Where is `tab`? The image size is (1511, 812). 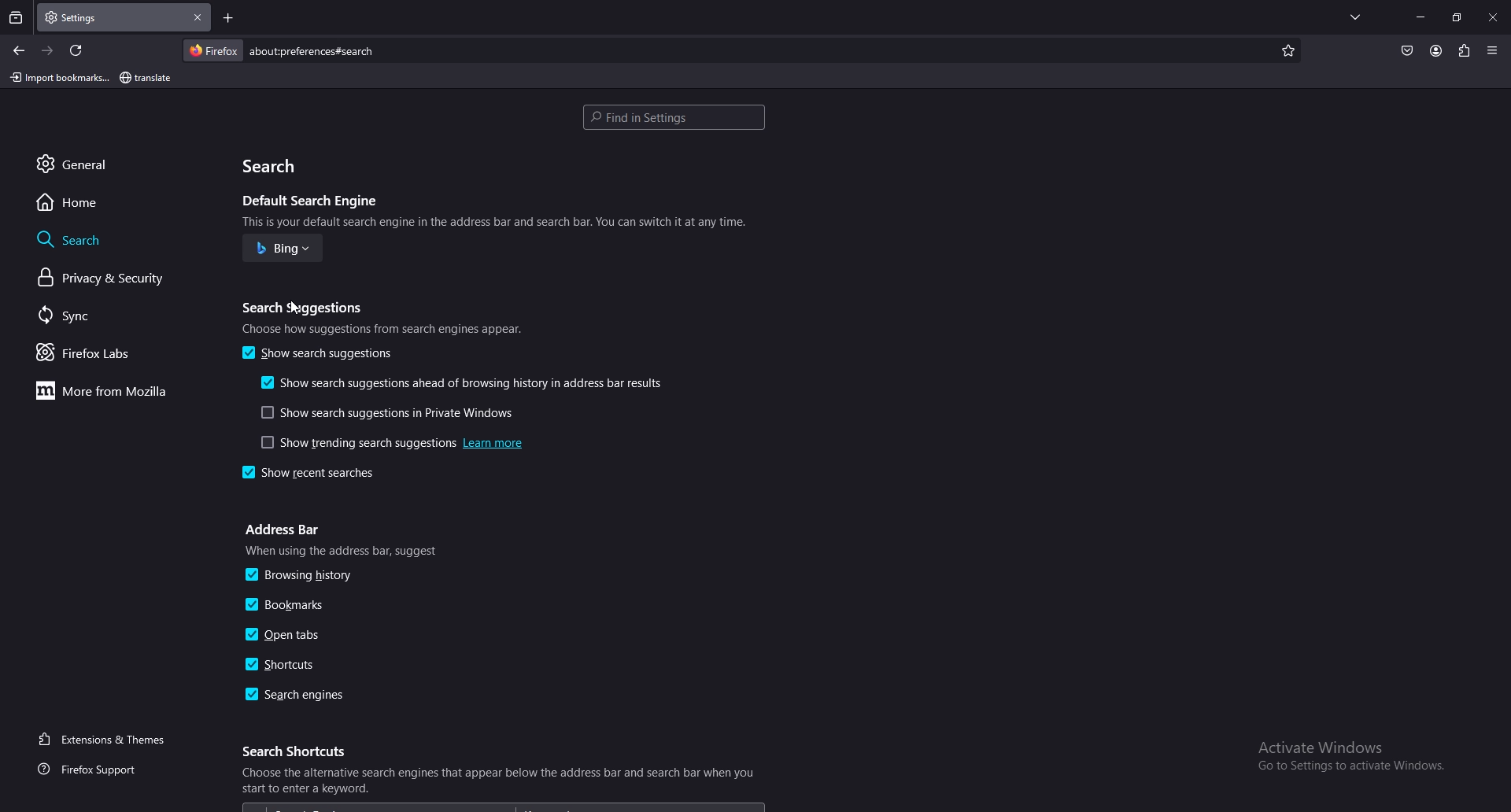 tab is located at coordinates (104, 18).